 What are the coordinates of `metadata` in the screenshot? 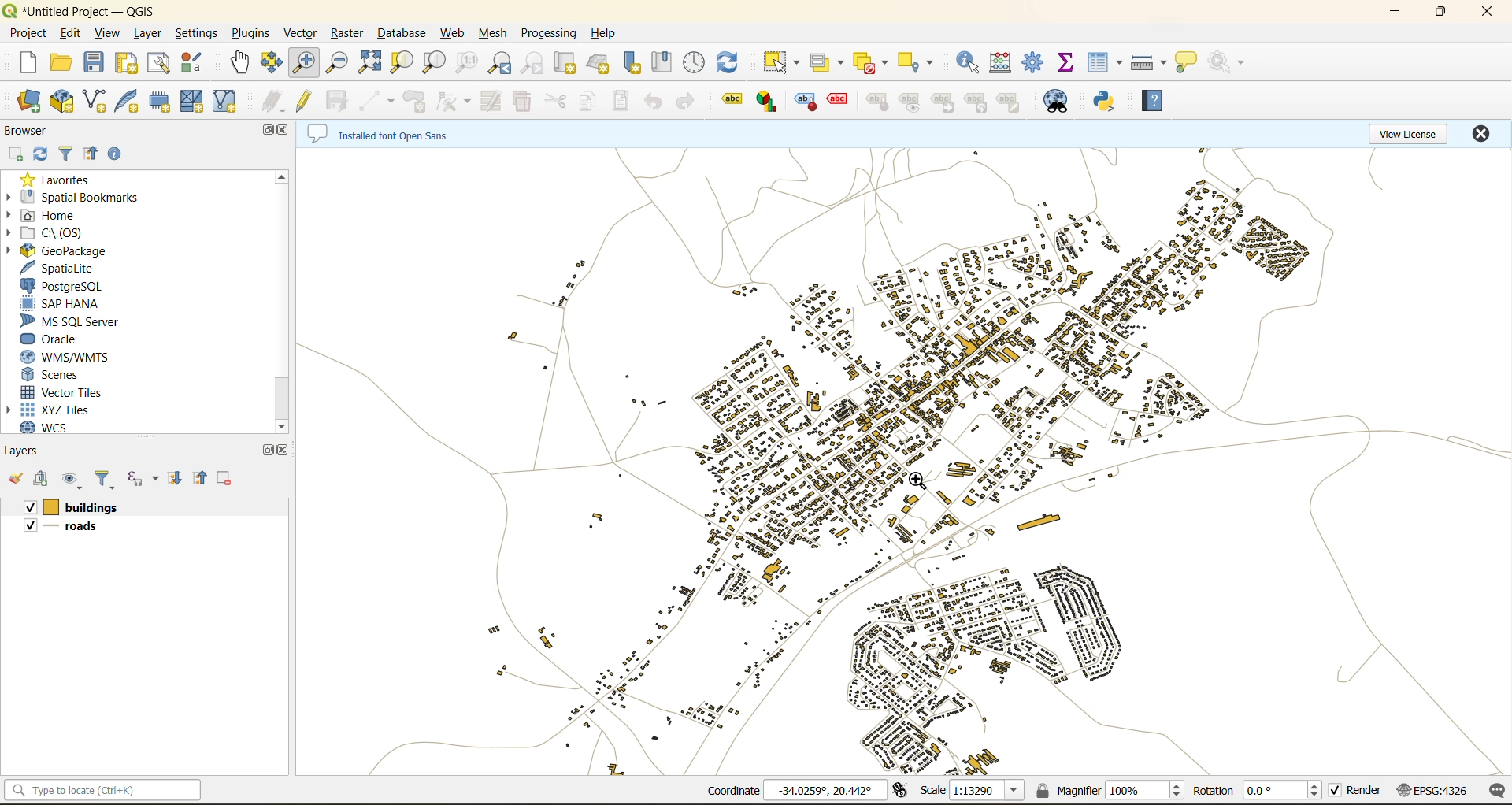 It's located at (380, 132).